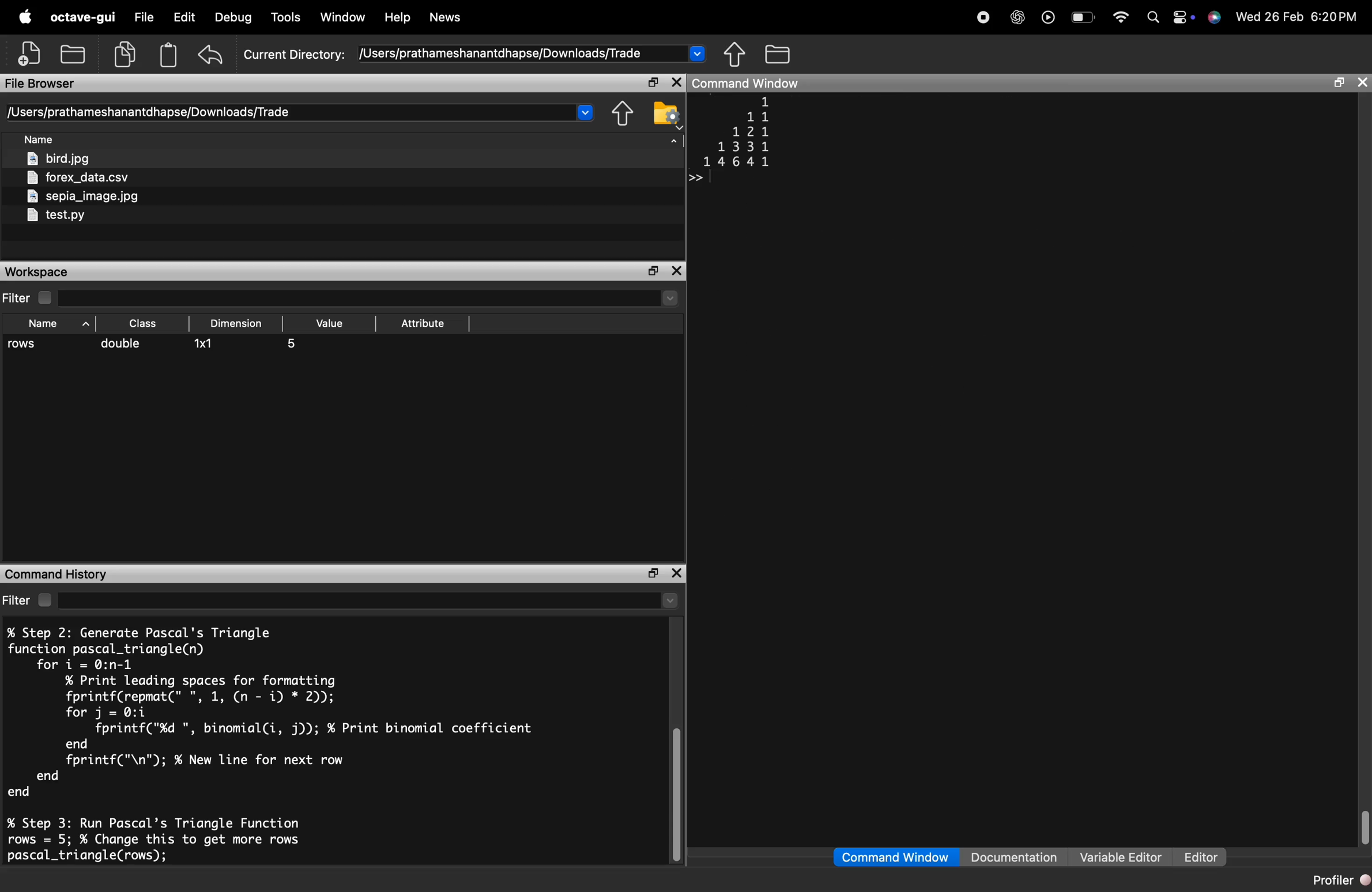 The width and height of the screenshot is (1372, 892). I want to click on maximize, so click(1339, 82).